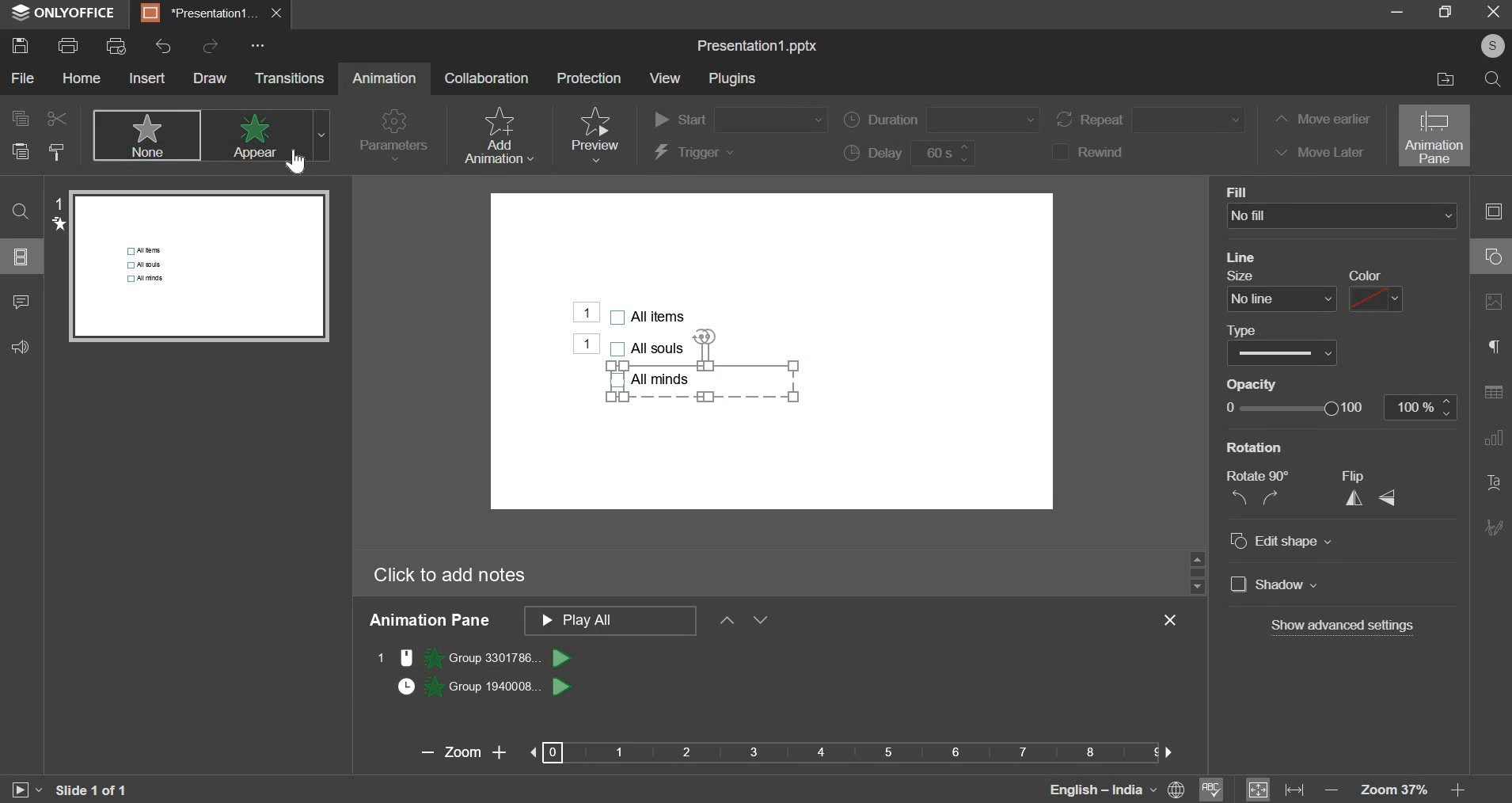 This screenshot has width=1512, height=803. Describe the element at coordinates (739, 120) in the screenshot. I see `start order` at that location.